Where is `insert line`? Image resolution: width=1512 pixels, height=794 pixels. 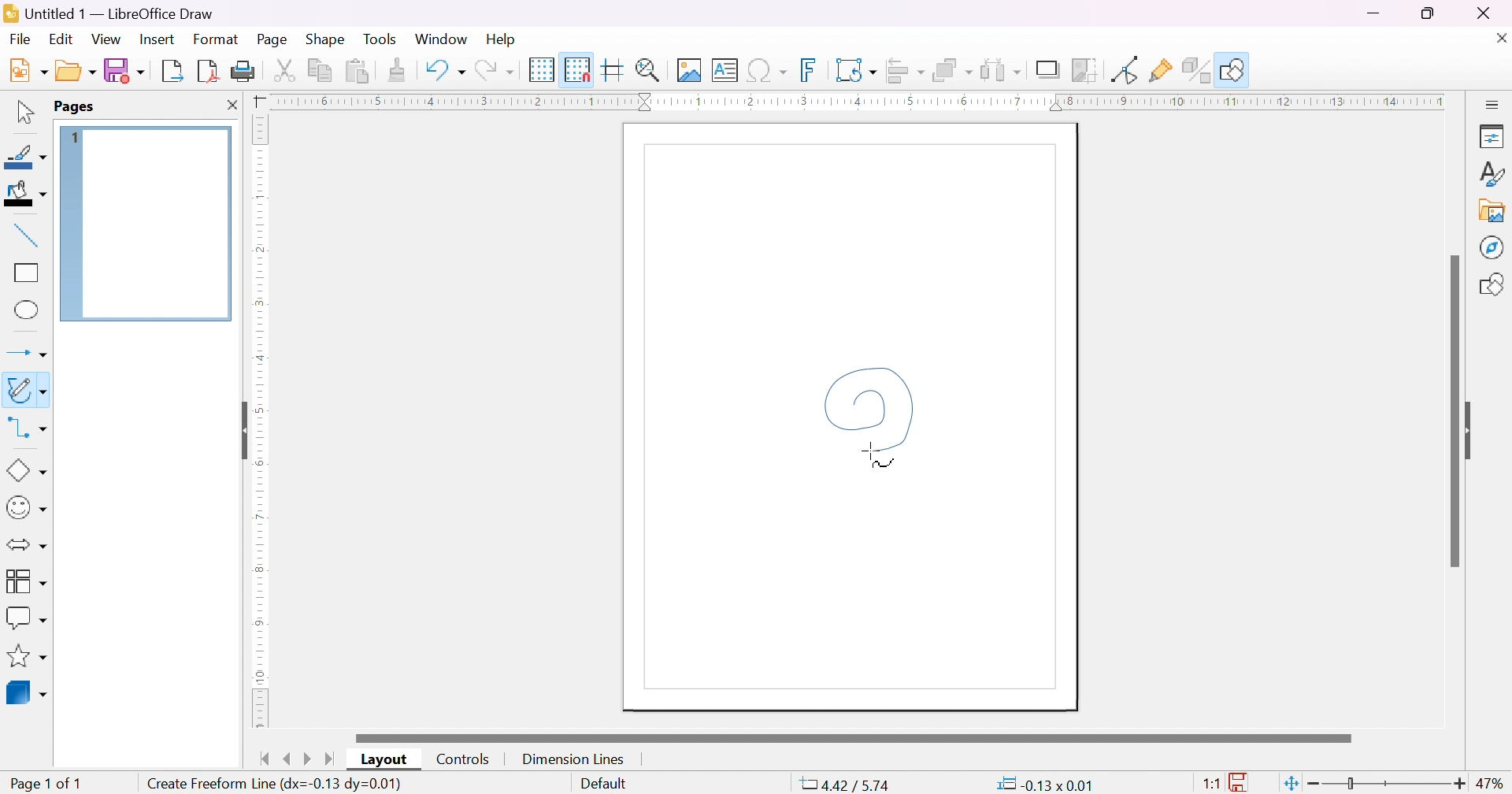
insert line is located at coordinates (27, 236).